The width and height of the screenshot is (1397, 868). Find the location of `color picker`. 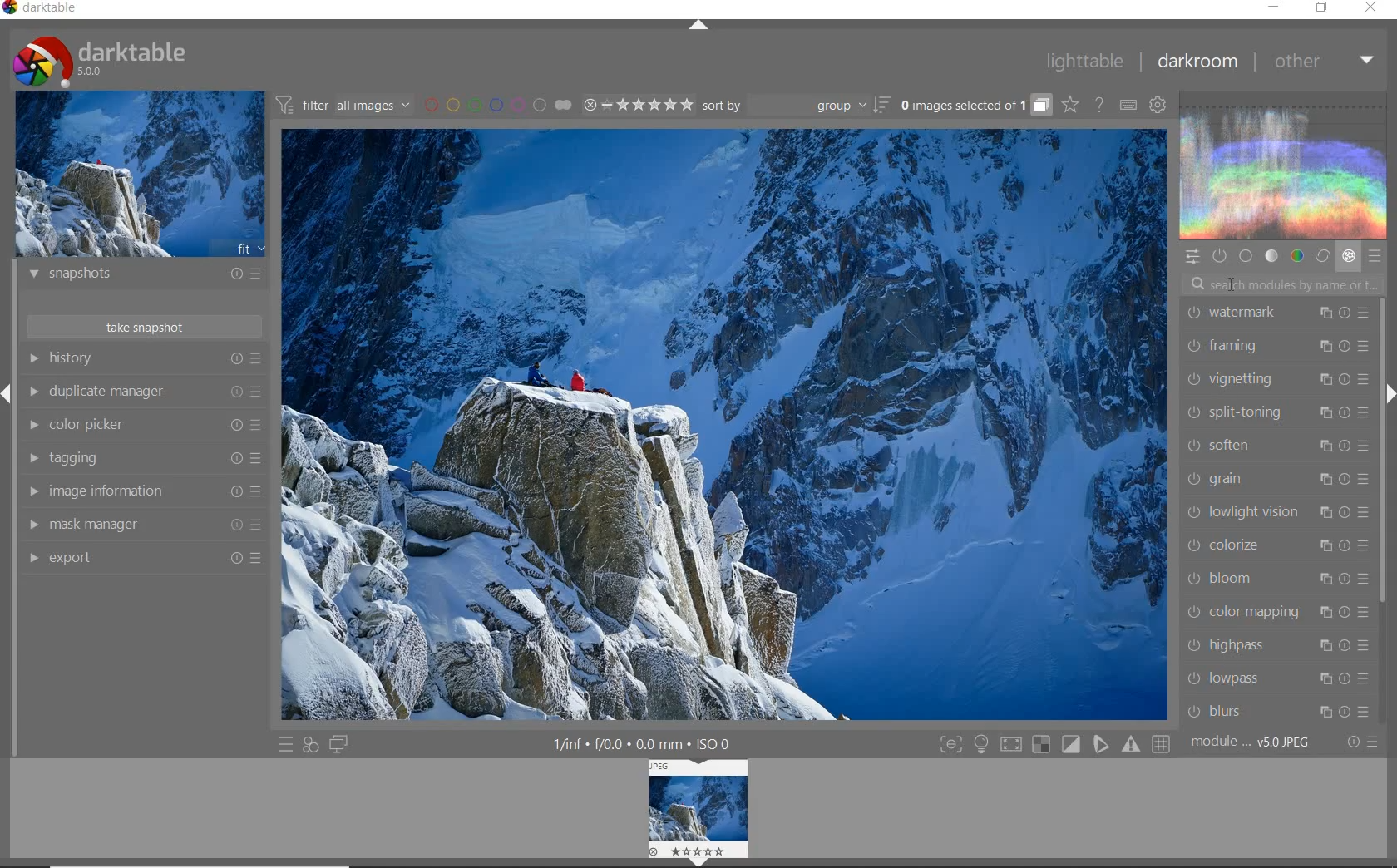

color picker is located at coordinates (141, 425).